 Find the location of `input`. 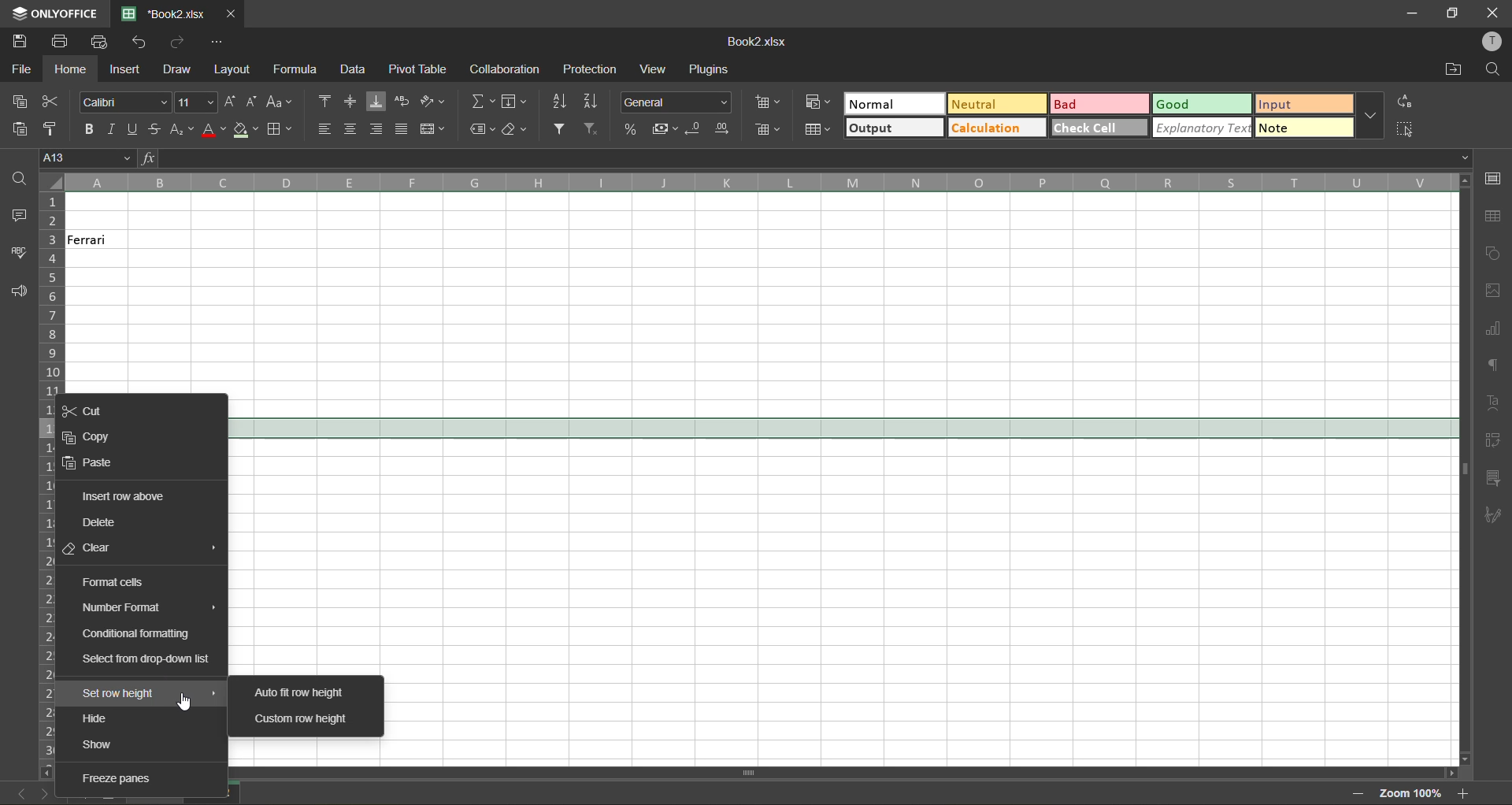

input is located at coordinates (1302, 103).